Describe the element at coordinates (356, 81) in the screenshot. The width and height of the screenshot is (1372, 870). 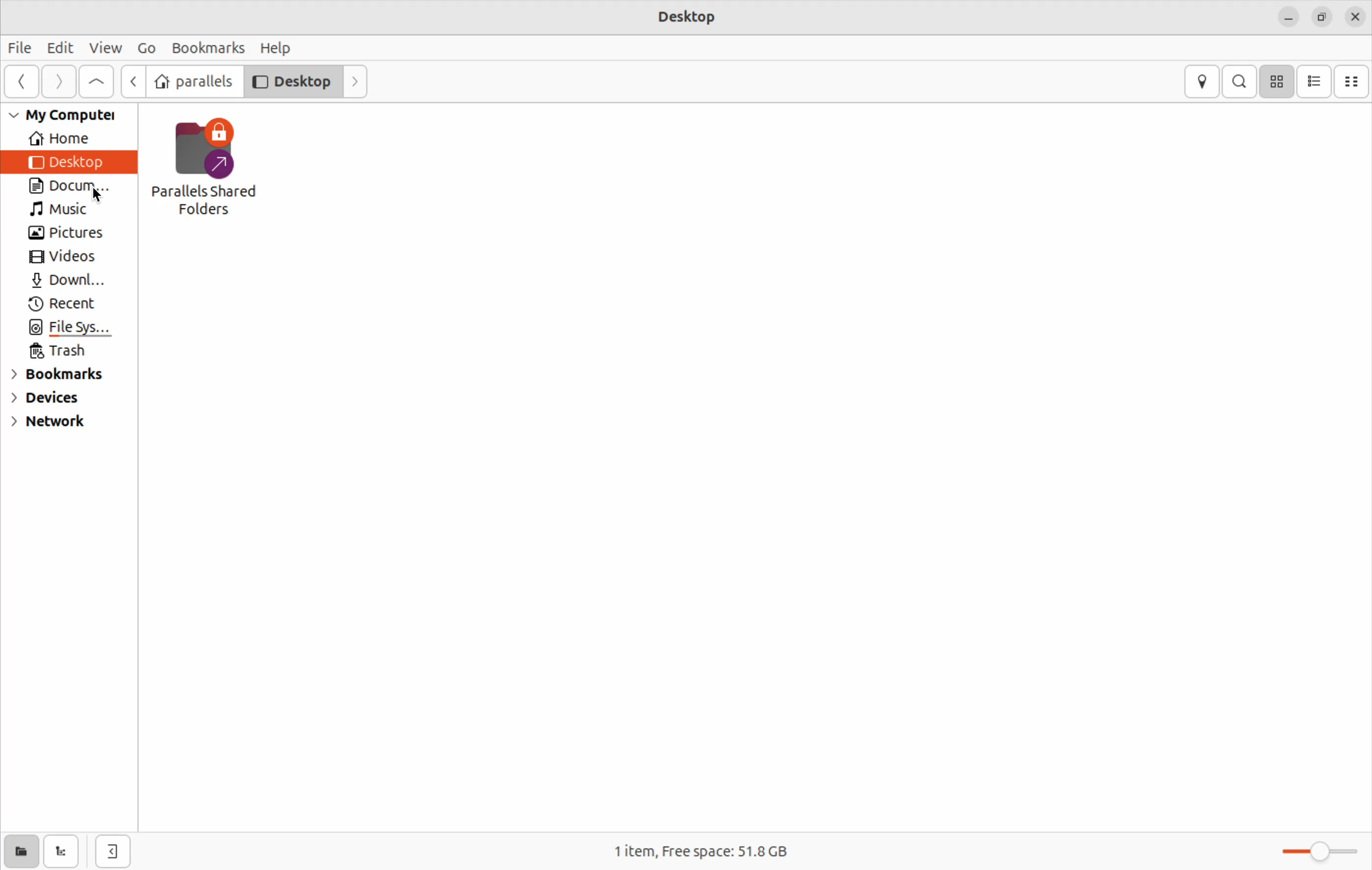
I see `Next` at that location.